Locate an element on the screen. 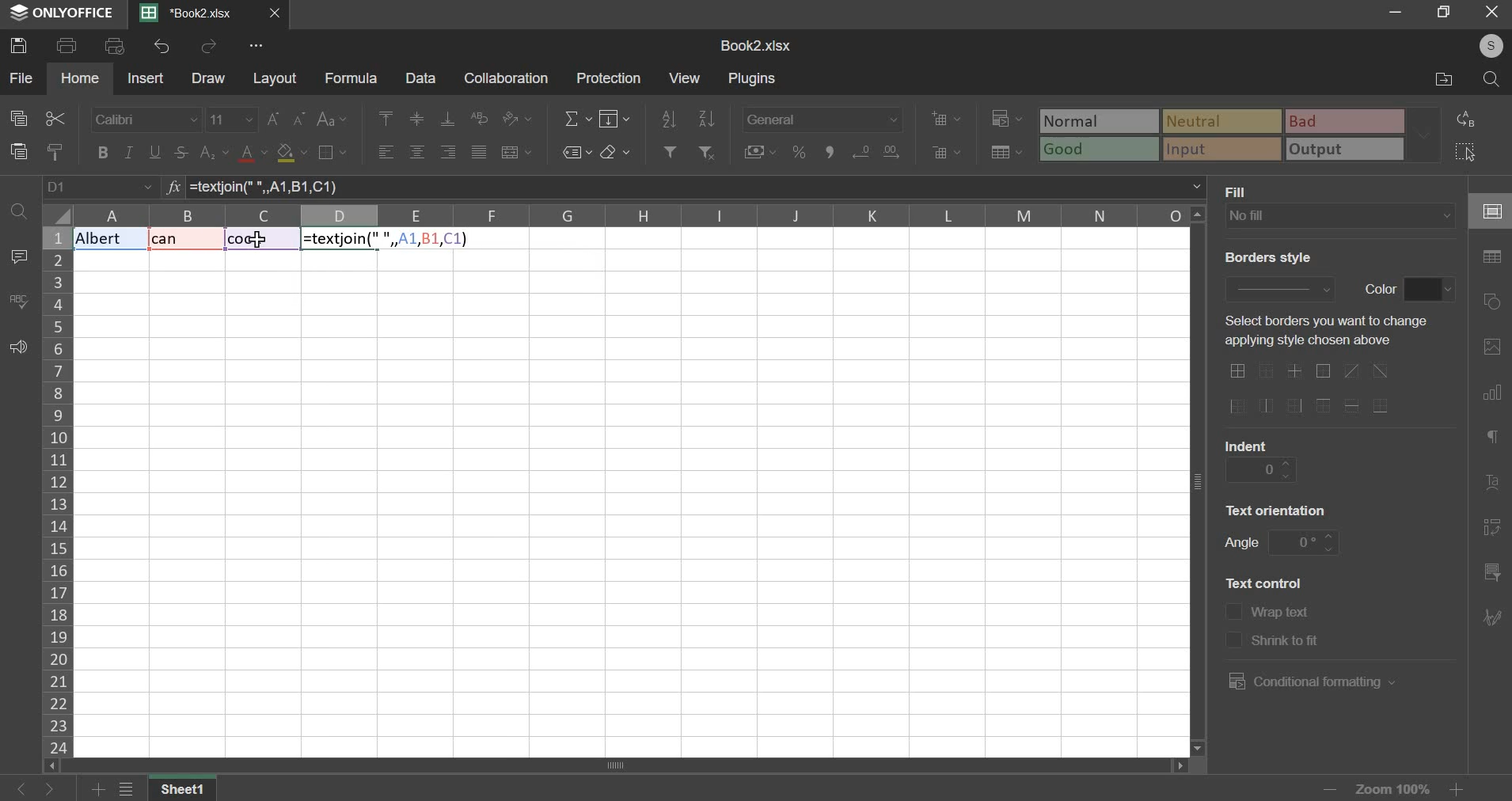 The height and width of the screenshot is (801, 1512). text control is located at coordinates (1233, 626).